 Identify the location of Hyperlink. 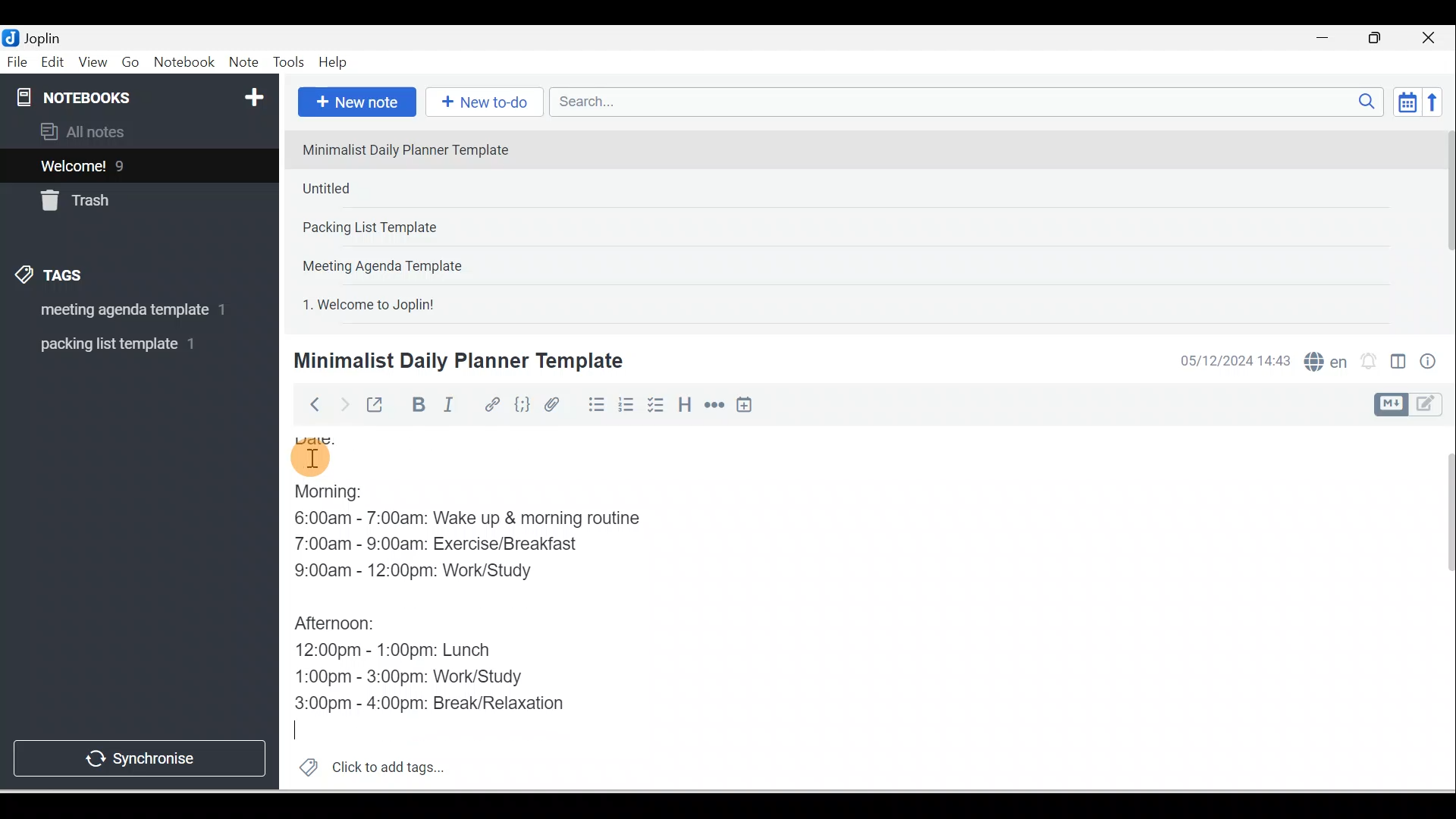
(491, 406).